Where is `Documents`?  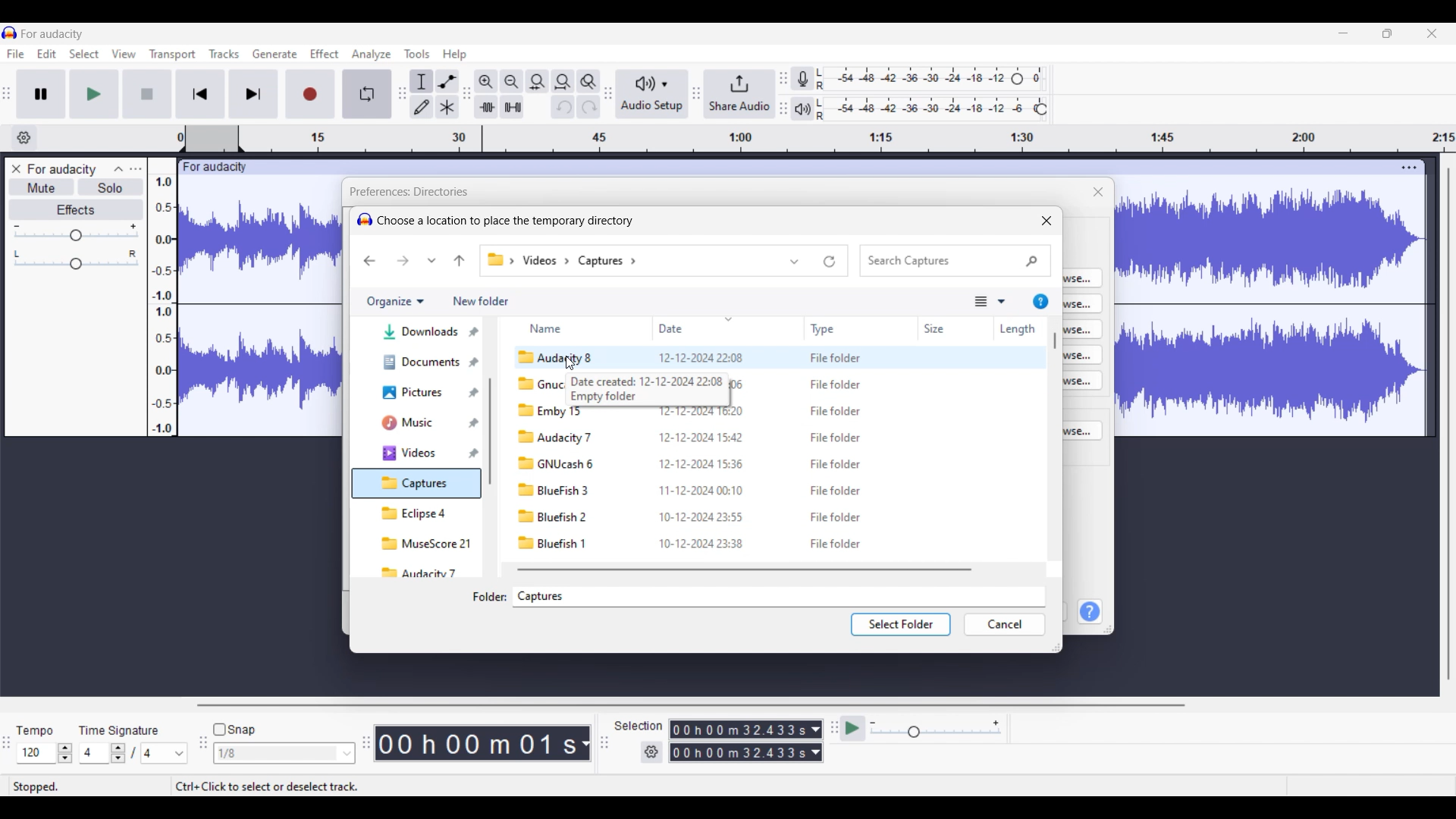
Documents is located at coordinates (421, 362).